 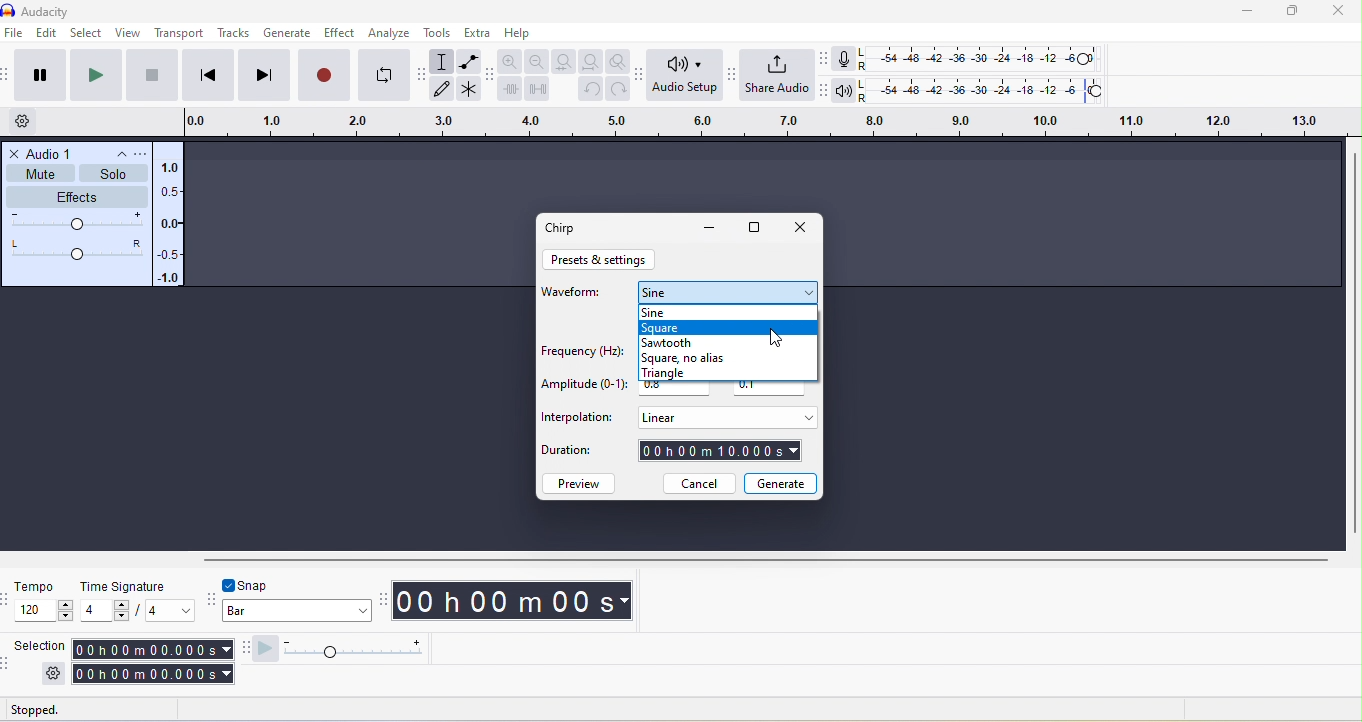 What do you see at coordinates (709, 229) in the screenshot?
I see `minimize` at bounding box center [709, 229].